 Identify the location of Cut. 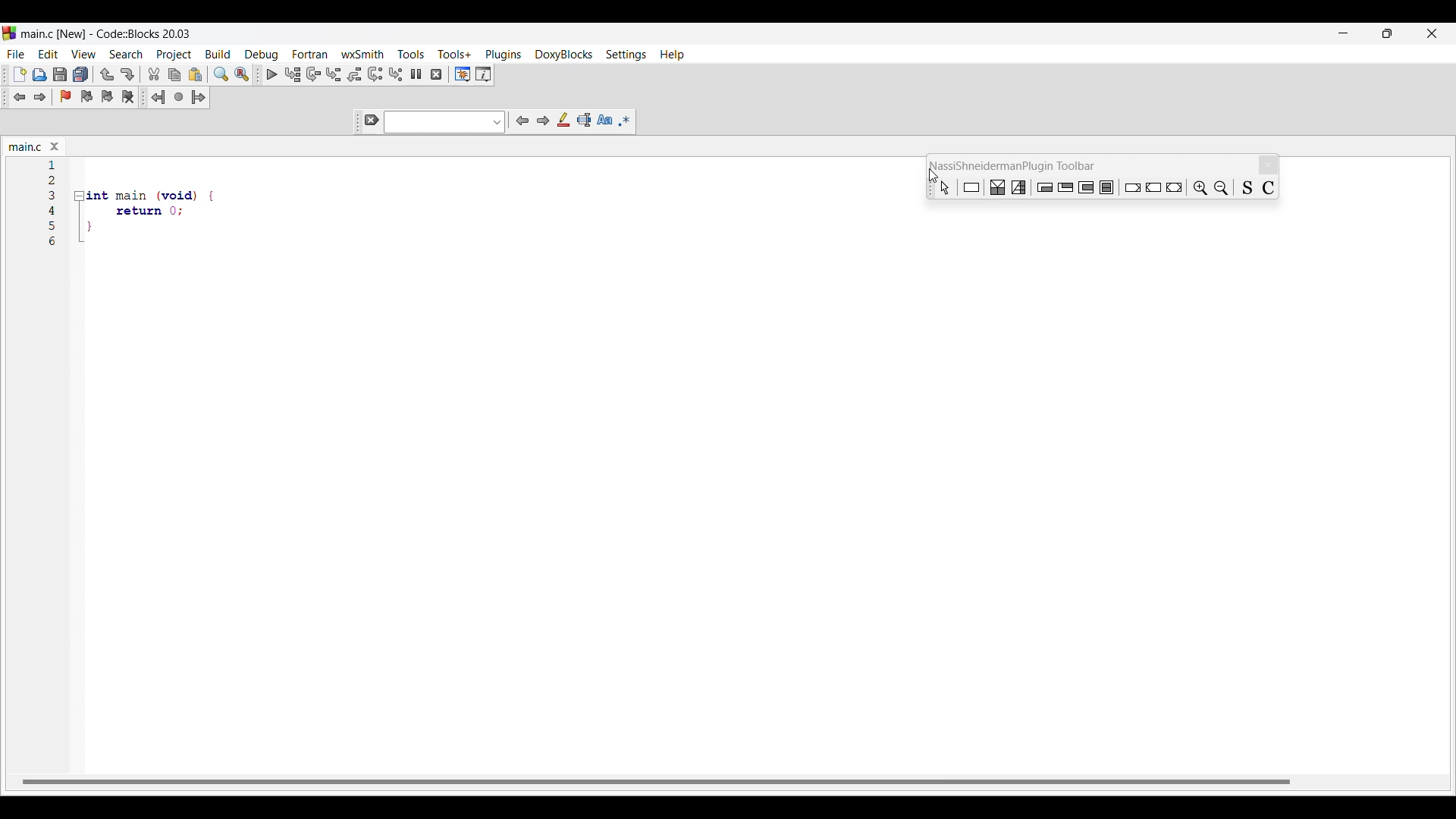
(154, 74).